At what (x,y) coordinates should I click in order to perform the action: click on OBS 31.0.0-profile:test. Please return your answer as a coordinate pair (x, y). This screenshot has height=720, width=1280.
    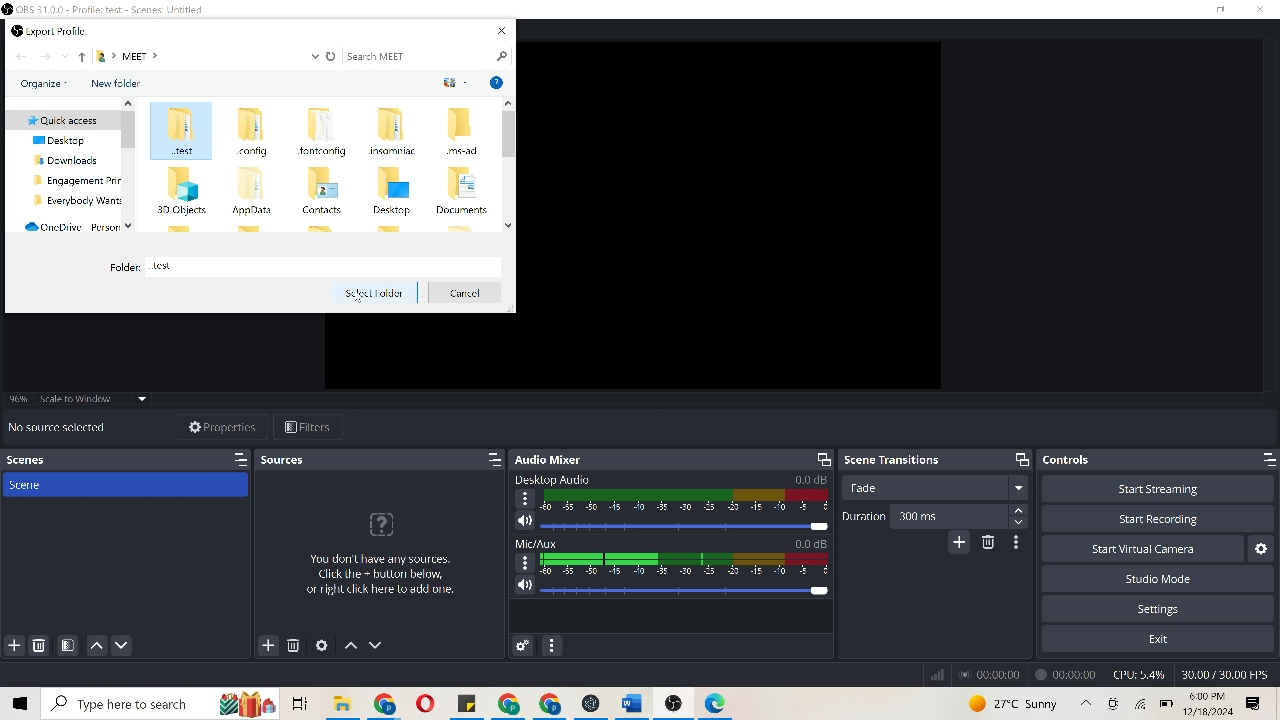
    Looking at the image, I should click on (117, 9).